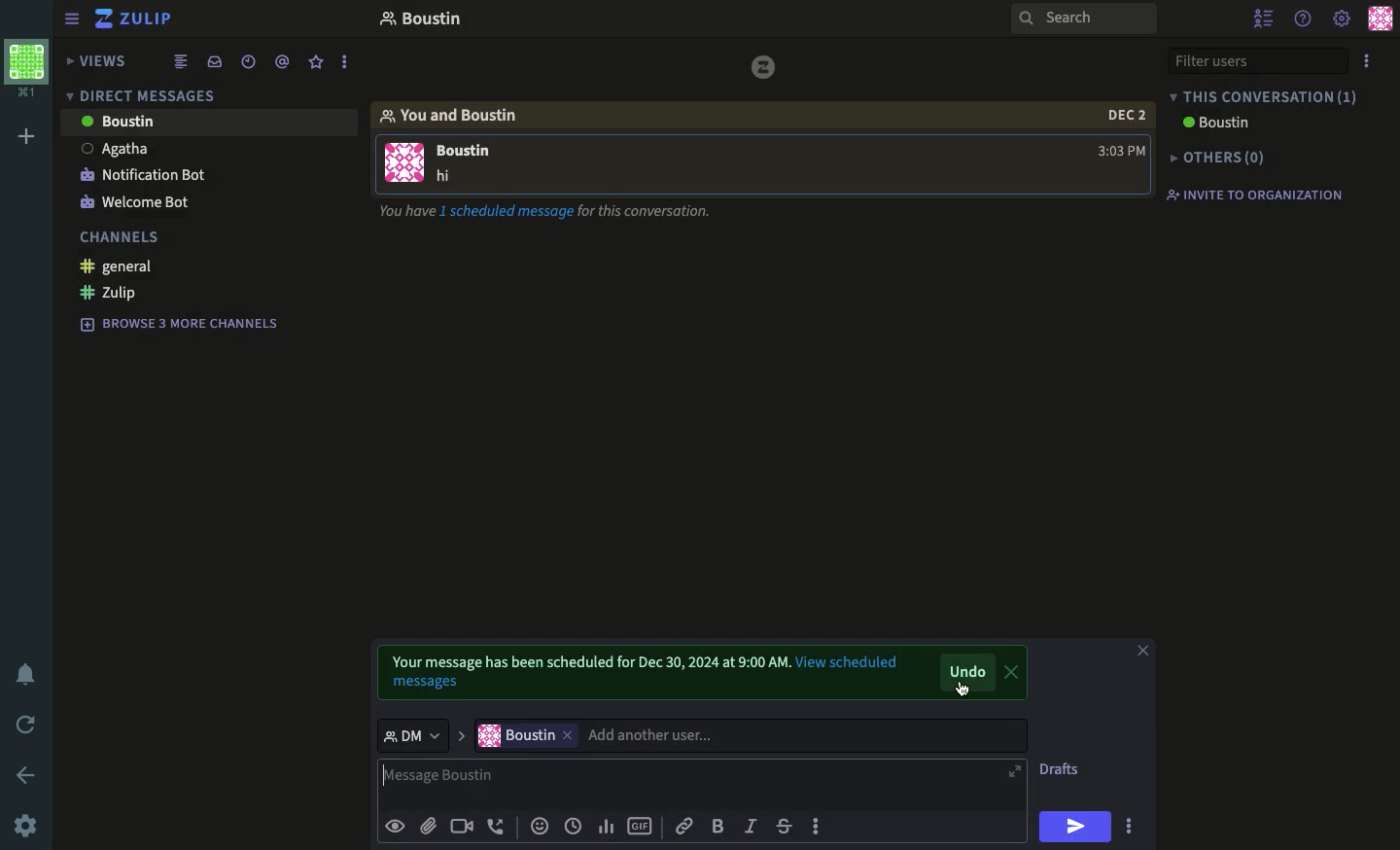  What do you see at coordinates (118, 150) in the screenshot?
I see `Agatha` at bounding box center [118, 150].